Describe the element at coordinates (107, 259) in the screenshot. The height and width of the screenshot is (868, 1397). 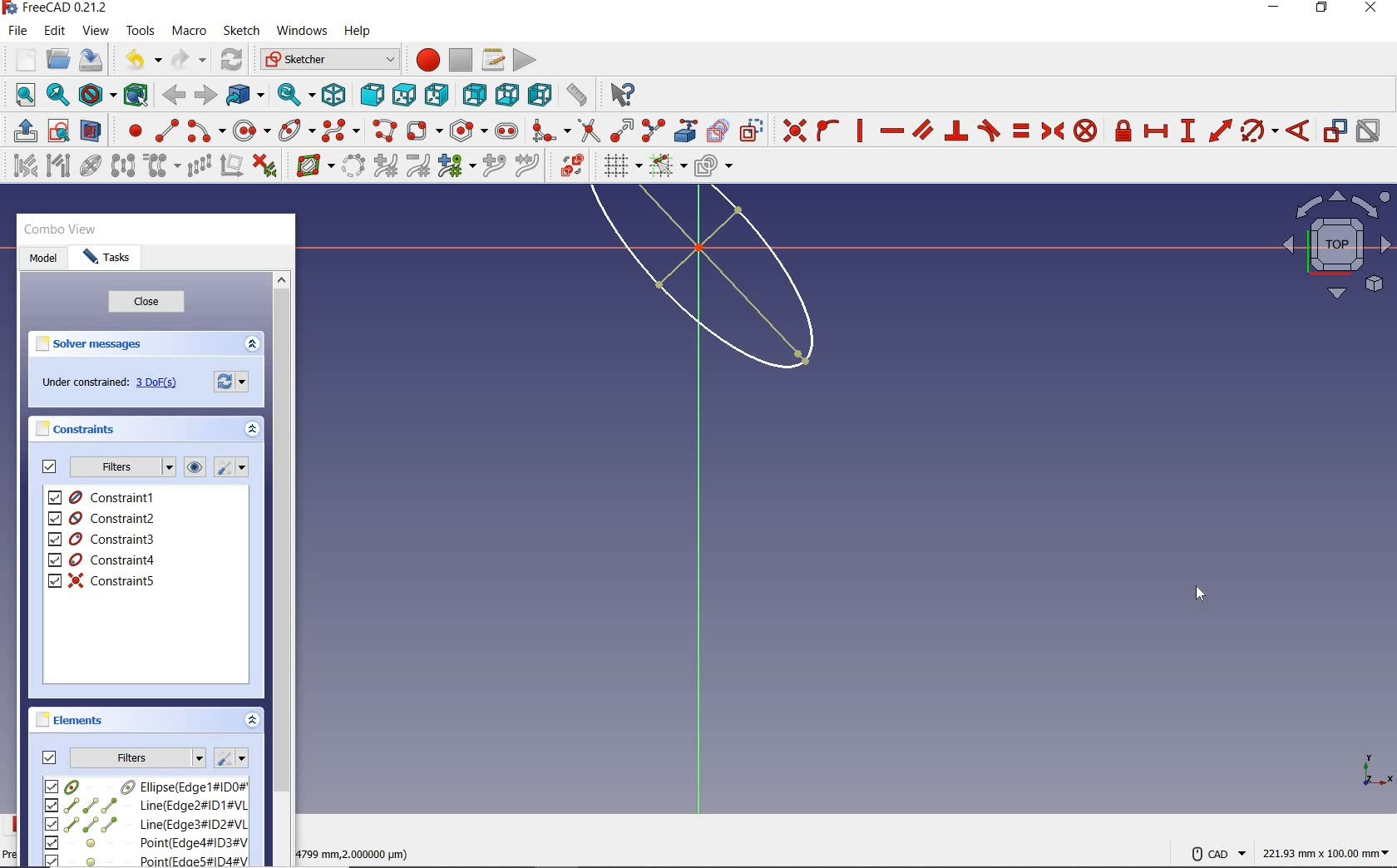
I see `tasks` at that location.